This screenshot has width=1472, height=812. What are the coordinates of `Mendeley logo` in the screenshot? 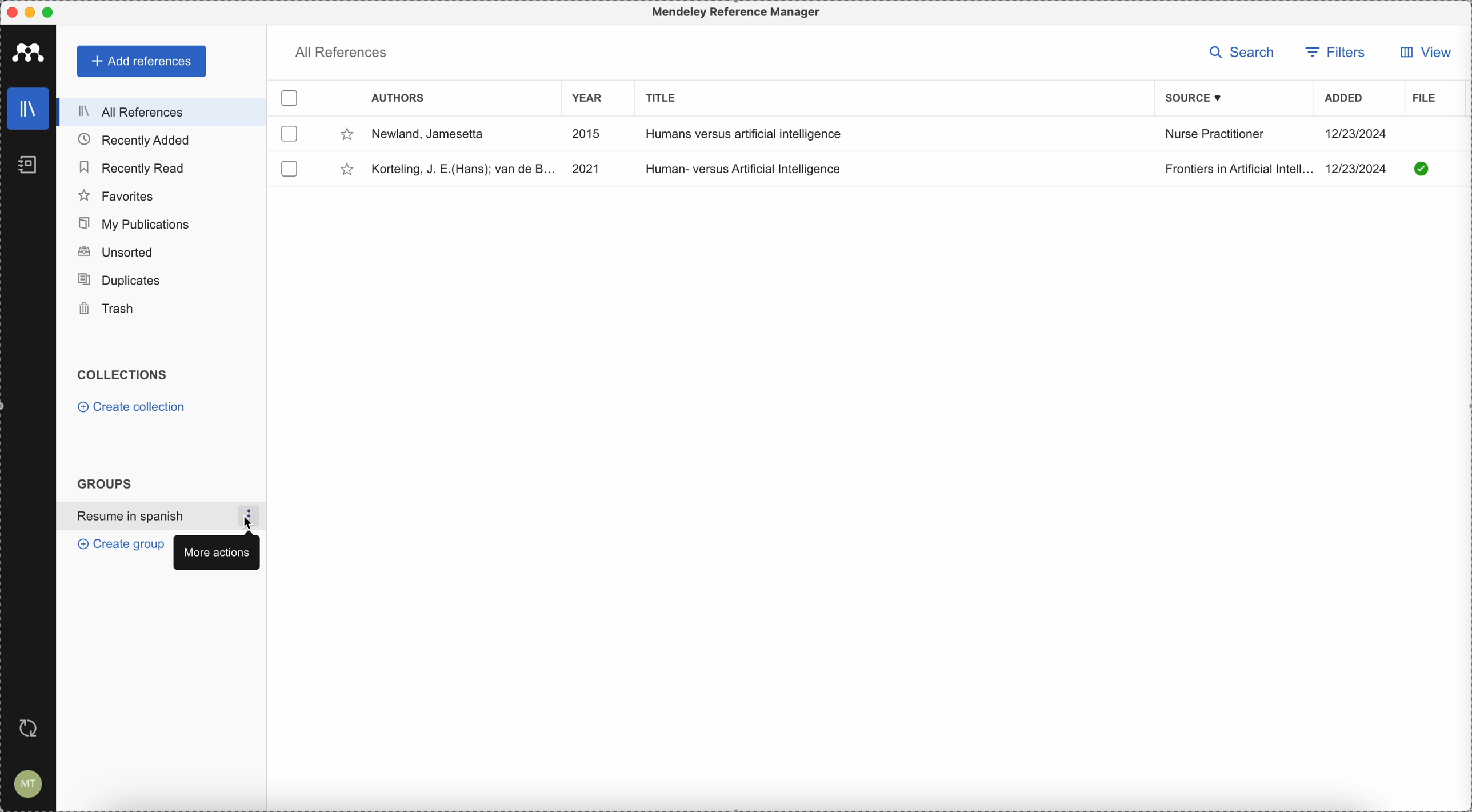 It's located at (29, 52).